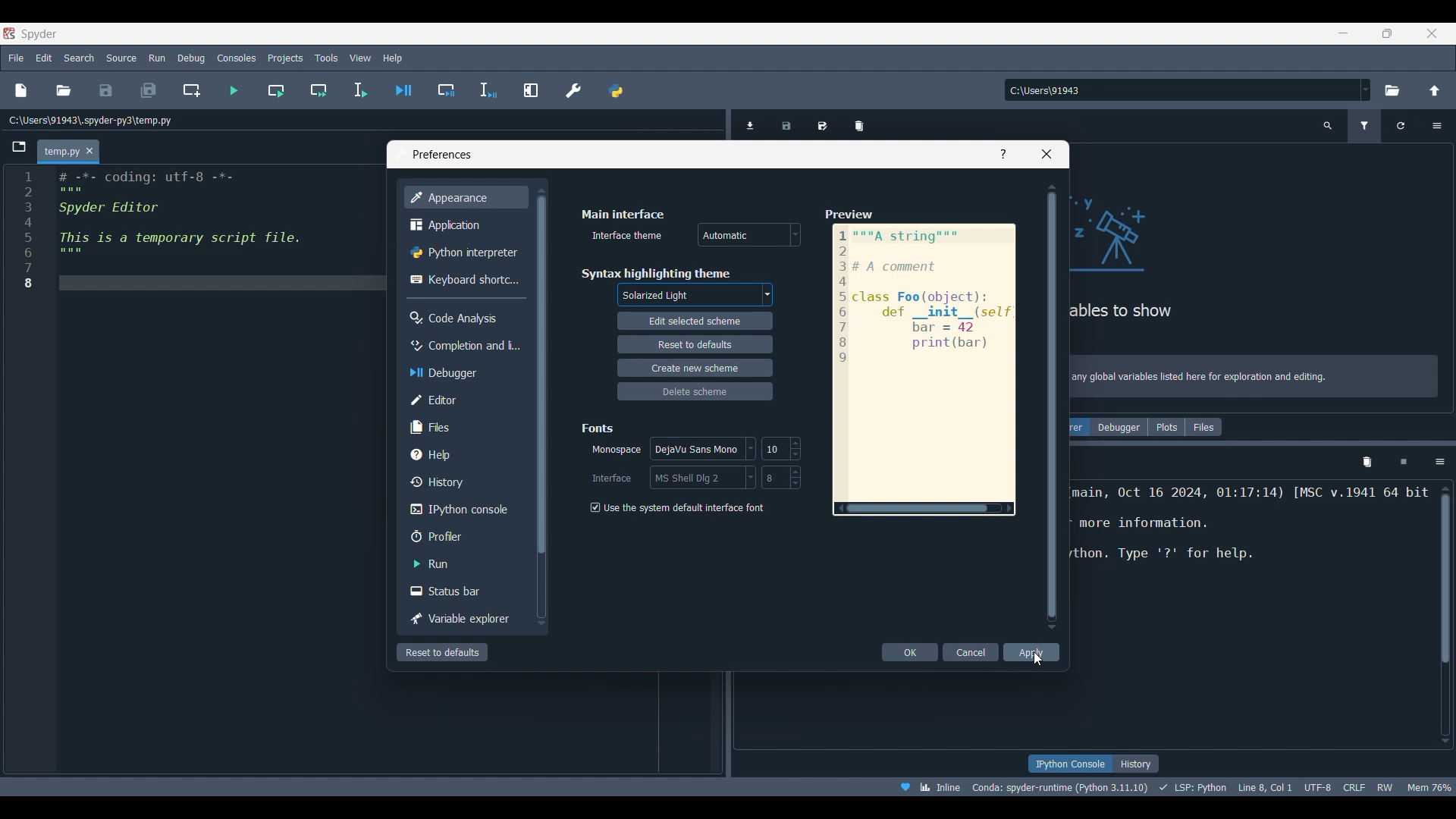 The image size is (1456, 819). I want to click on Edit menu, so click(45, 58).